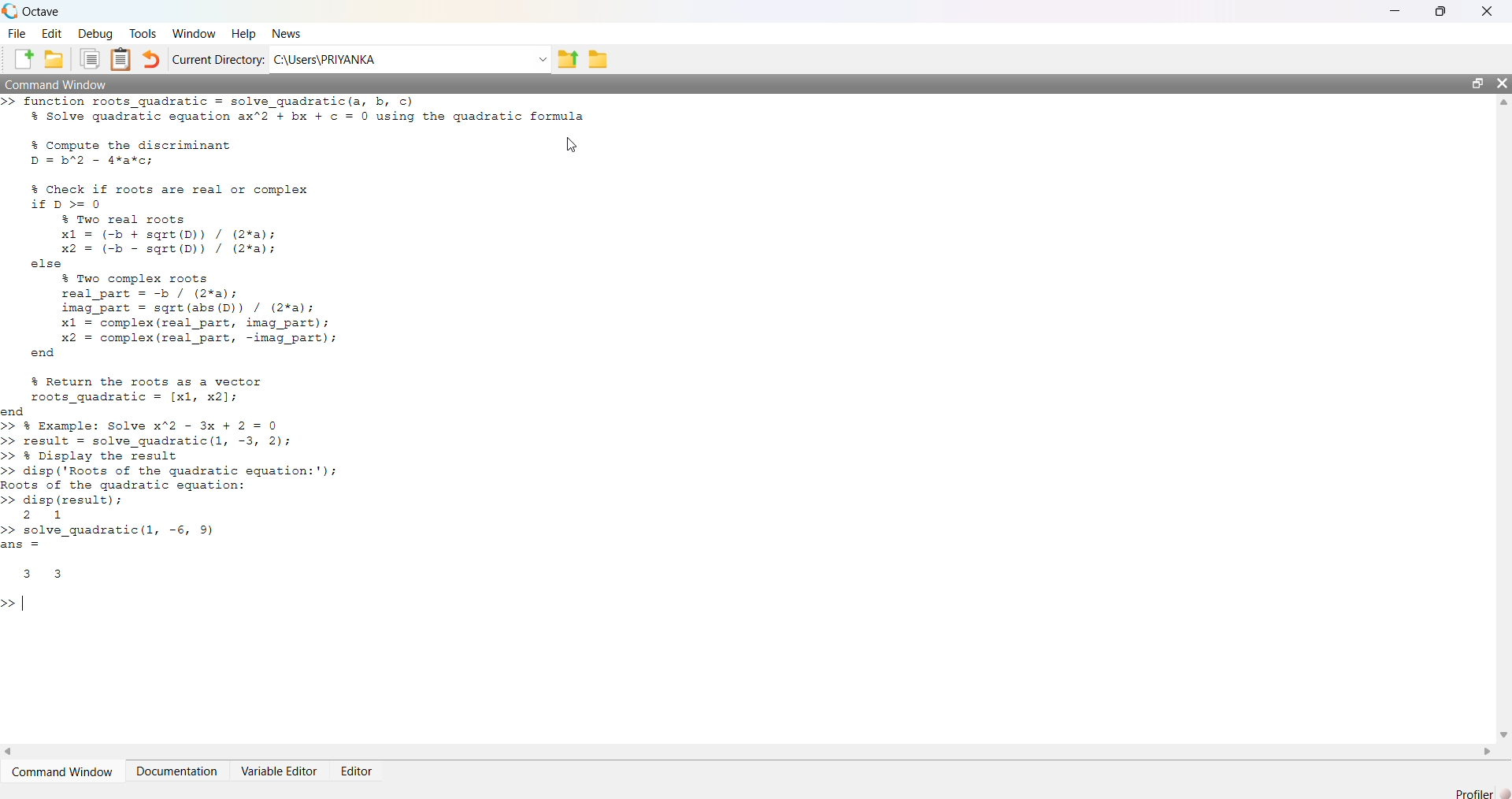 The image size is (1512, 799). Describe the element at coordinates (597, 58) in the screenshot. I see `Browse directories` at that location.